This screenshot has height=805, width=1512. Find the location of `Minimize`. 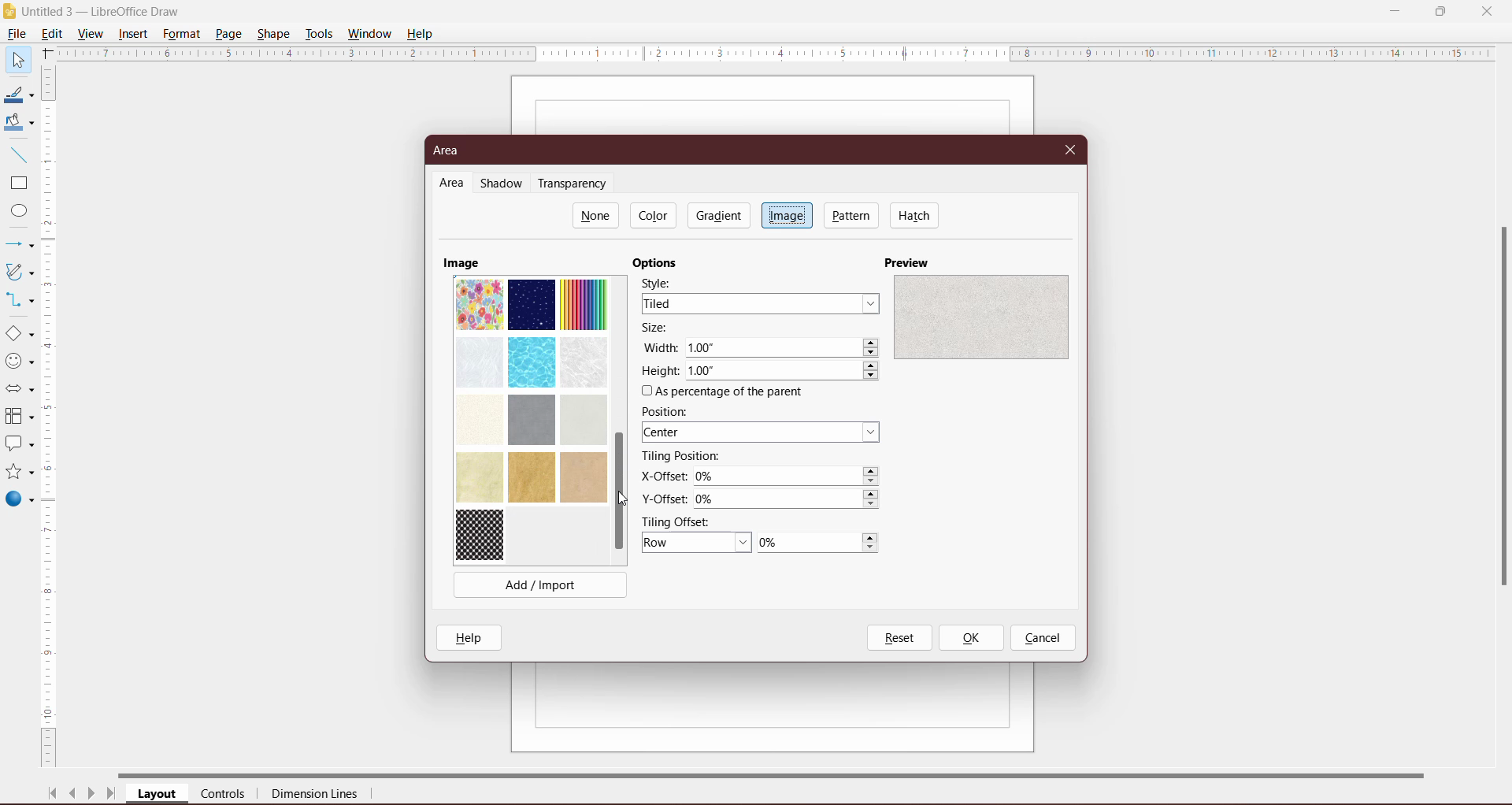

Minimize is located at coordinates (1396, 9).